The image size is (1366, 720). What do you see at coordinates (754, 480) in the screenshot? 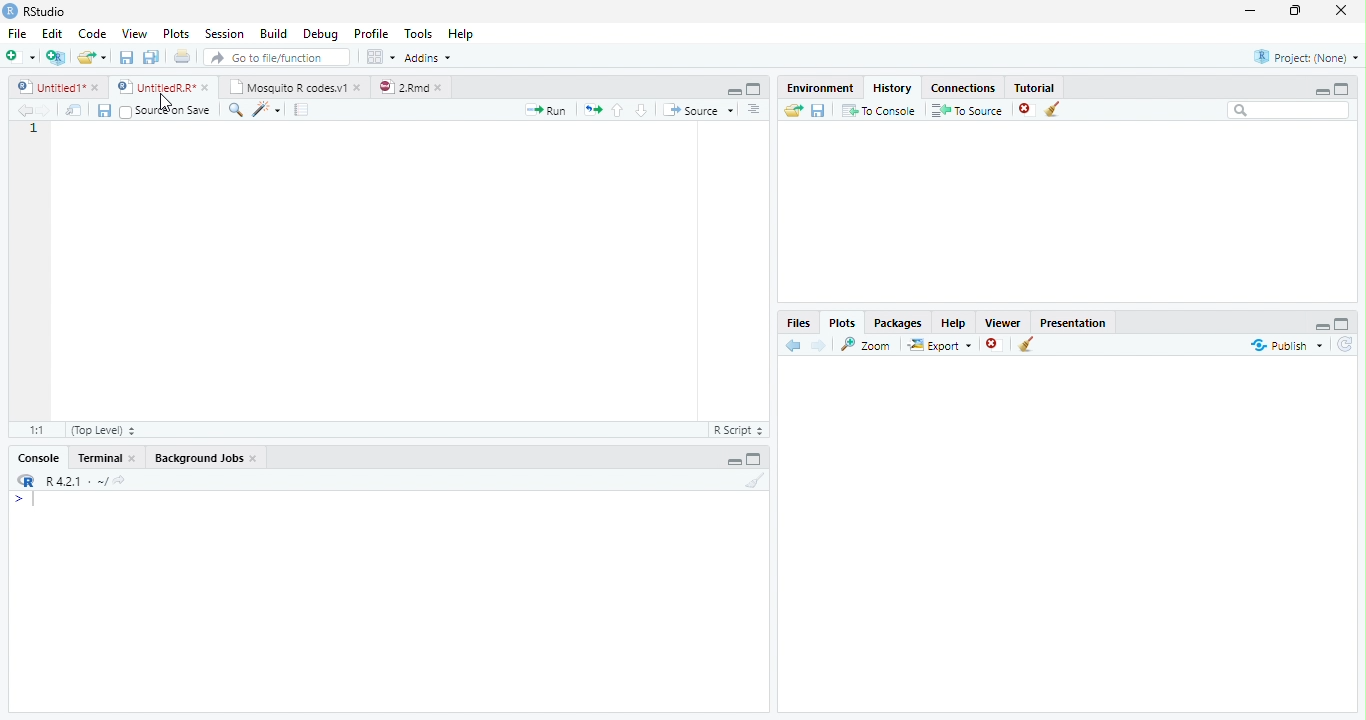
I see `Clear` at bounding box center [754, 480].